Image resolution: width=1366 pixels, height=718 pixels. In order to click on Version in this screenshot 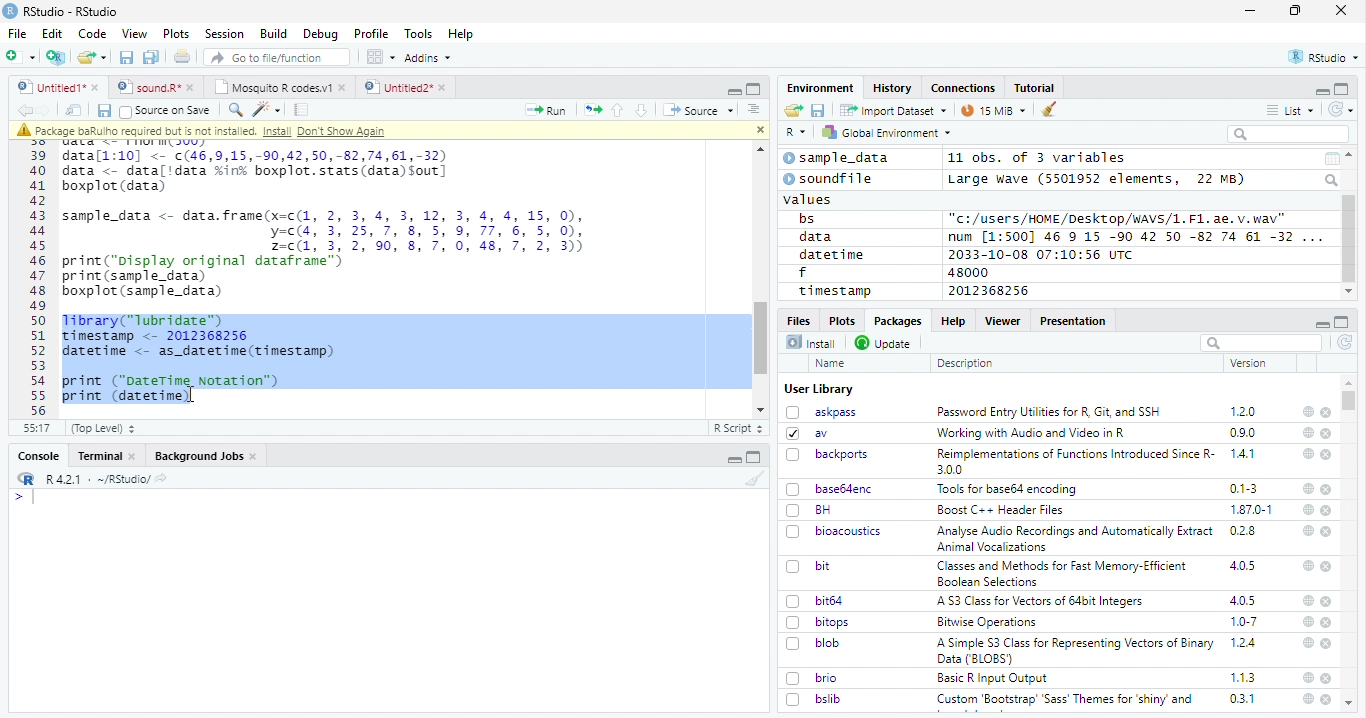, I will do `click(1252, 363)`.